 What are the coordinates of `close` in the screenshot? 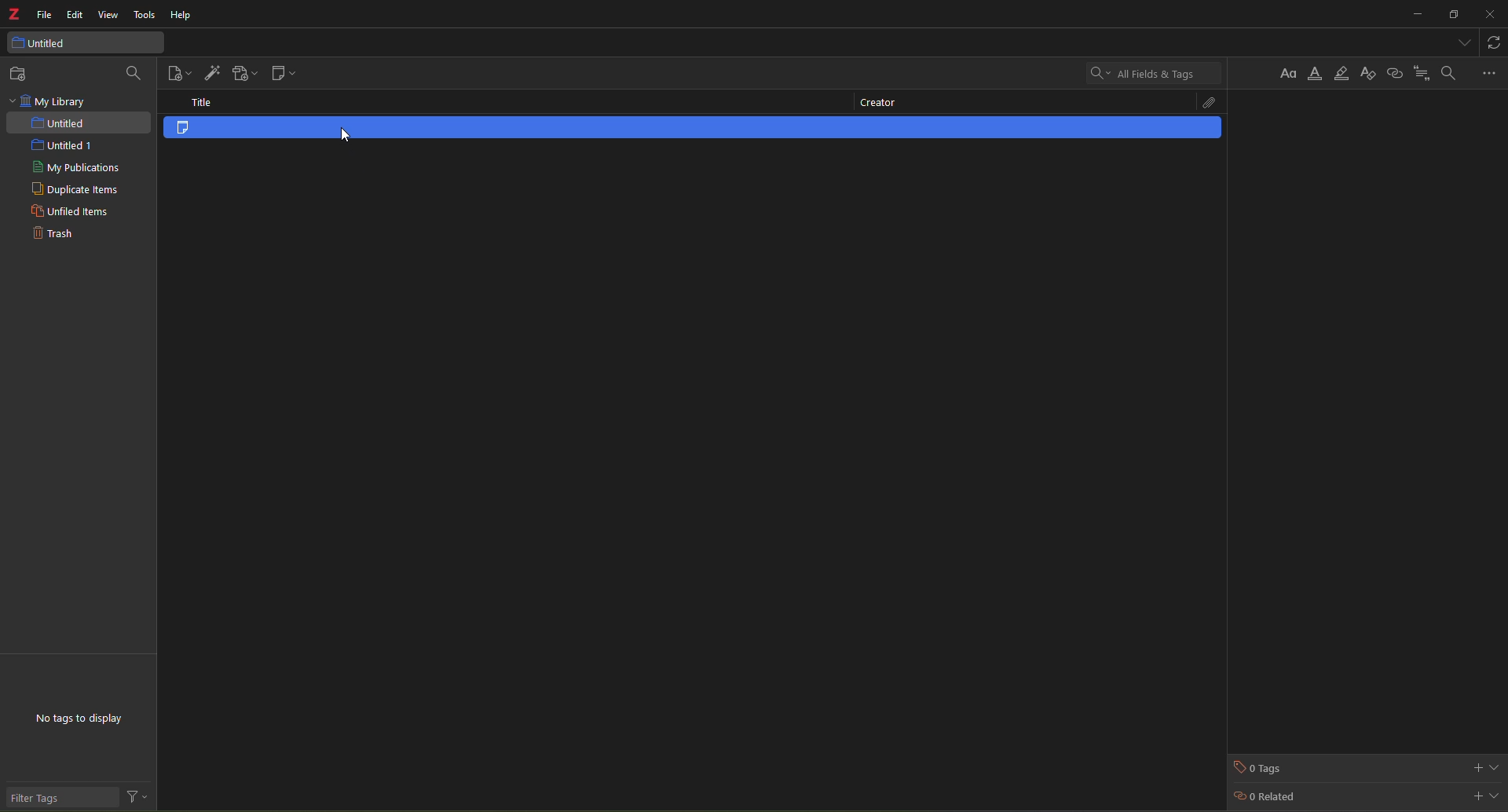 It's located at (1490, 14).